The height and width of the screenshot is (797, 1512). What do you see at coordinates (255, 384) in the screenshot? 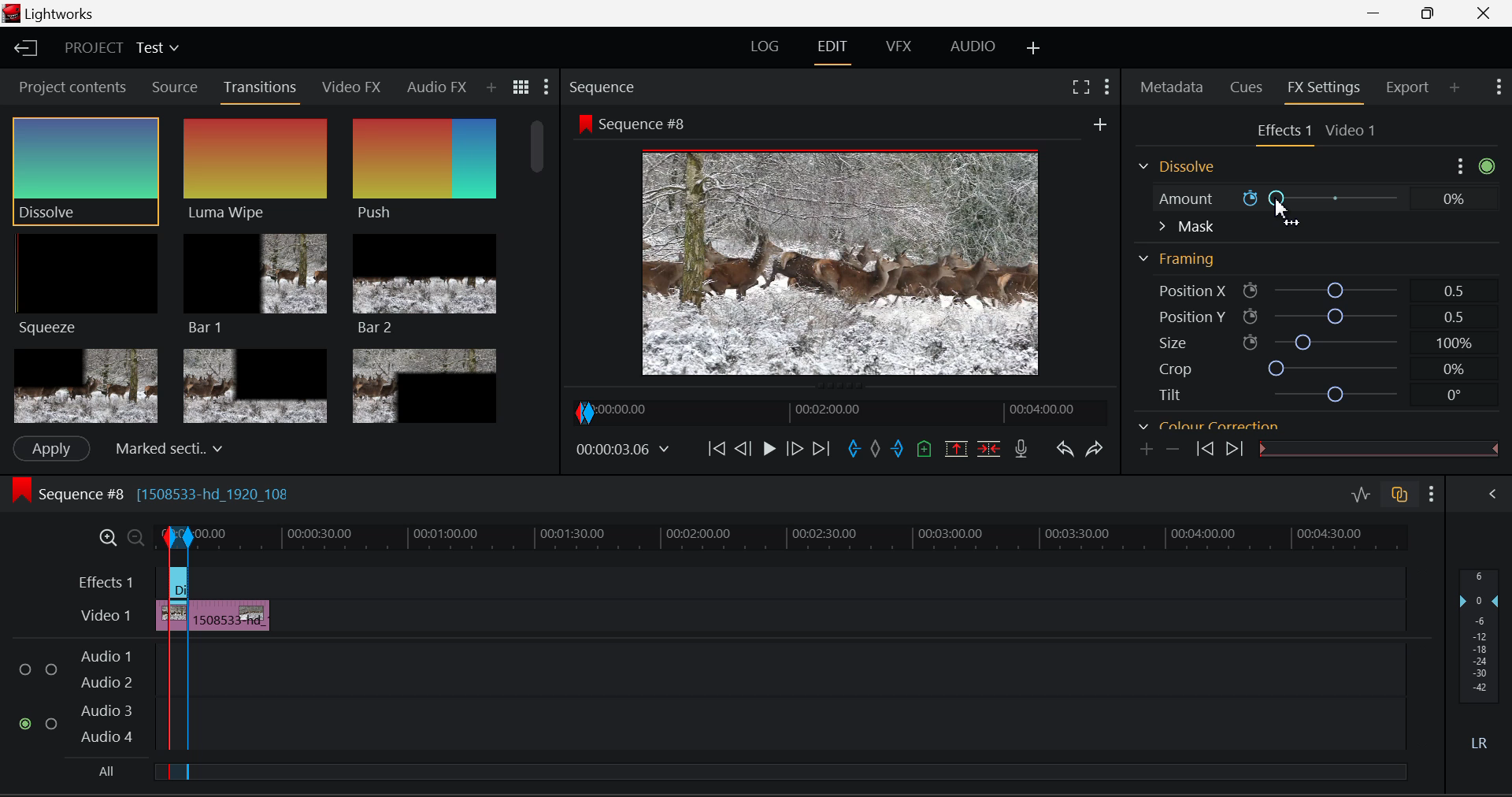
I see `Box 2` at bounding box center [255, 384].